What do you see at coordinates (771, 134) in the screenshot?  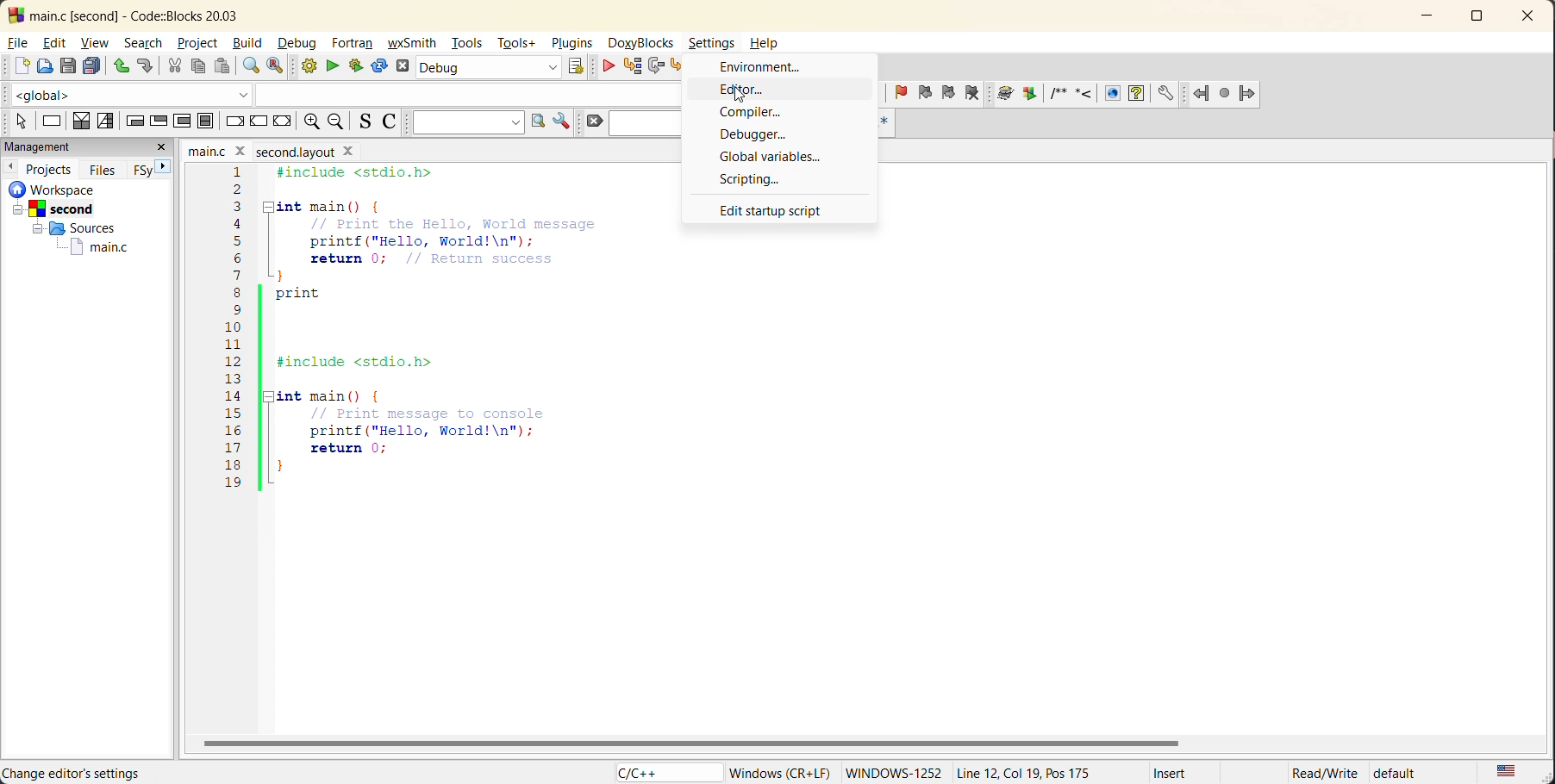 I see `debugger` at bounding box center [771, 134].